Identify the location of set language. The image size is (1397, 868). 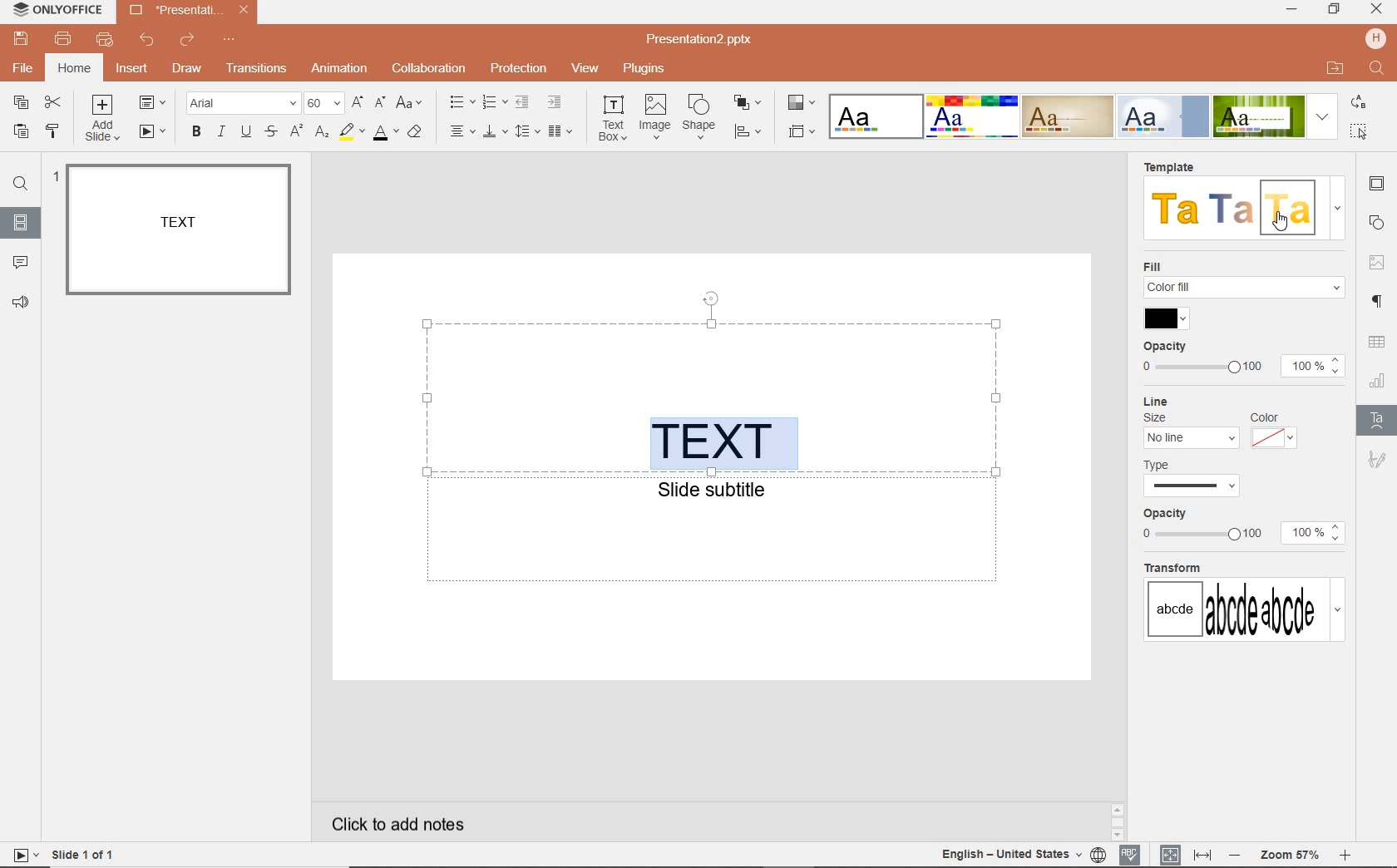
(1098, 853).